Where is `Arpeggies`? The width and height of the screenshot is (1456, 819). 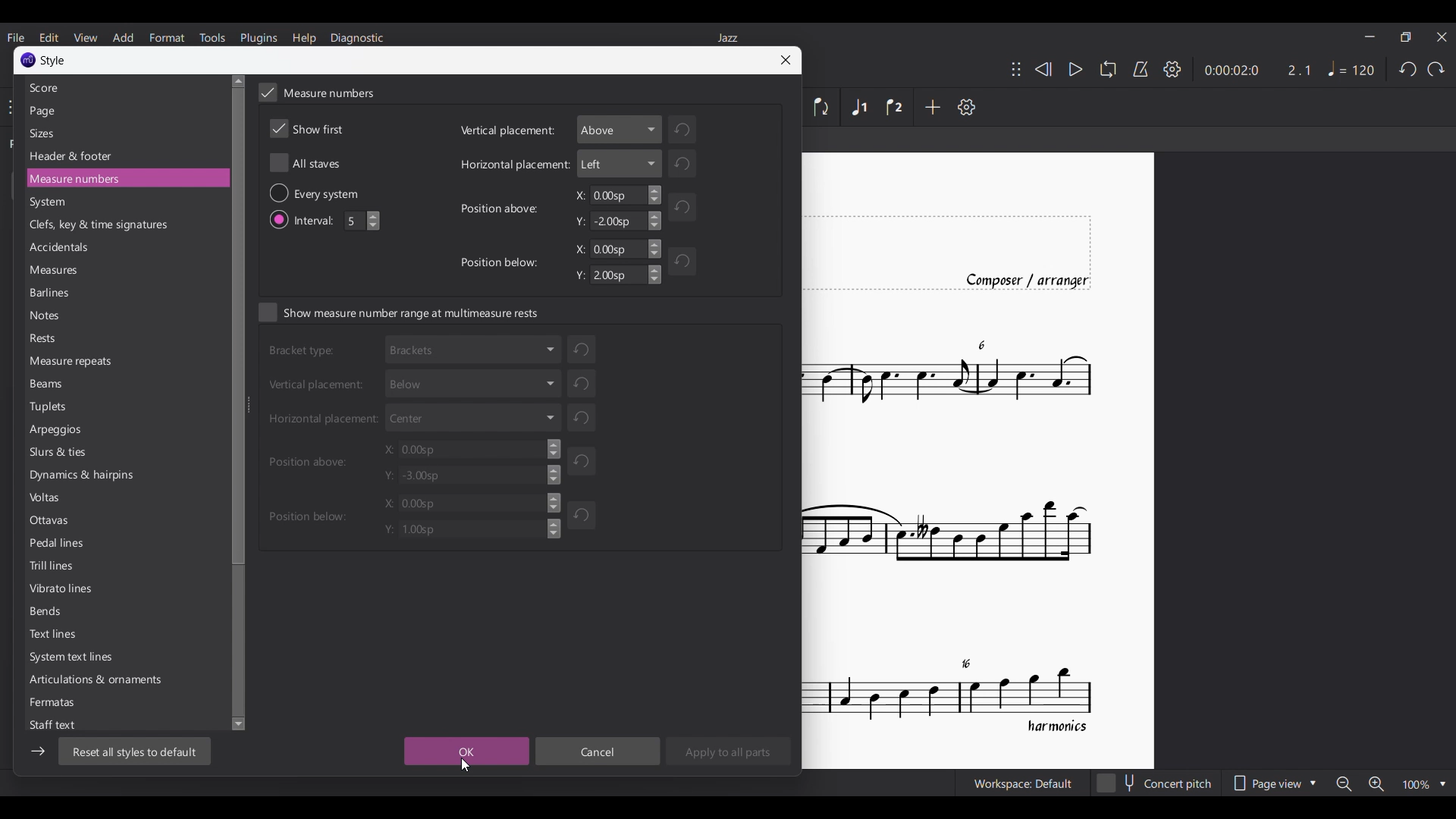
Arpeggies is located at coordinates (63, 431).